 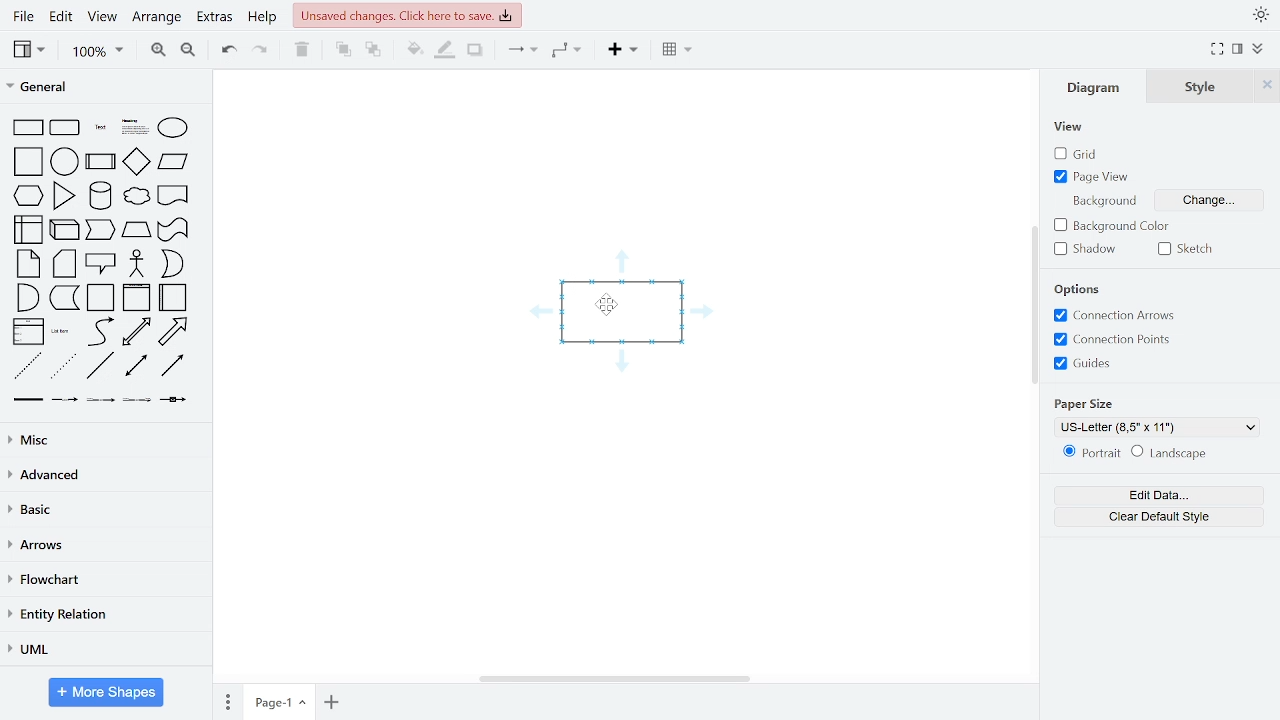 What do you see at coordinates (101, 230) in the screenshot?
I see `cube` at bounding box center [101, 230].